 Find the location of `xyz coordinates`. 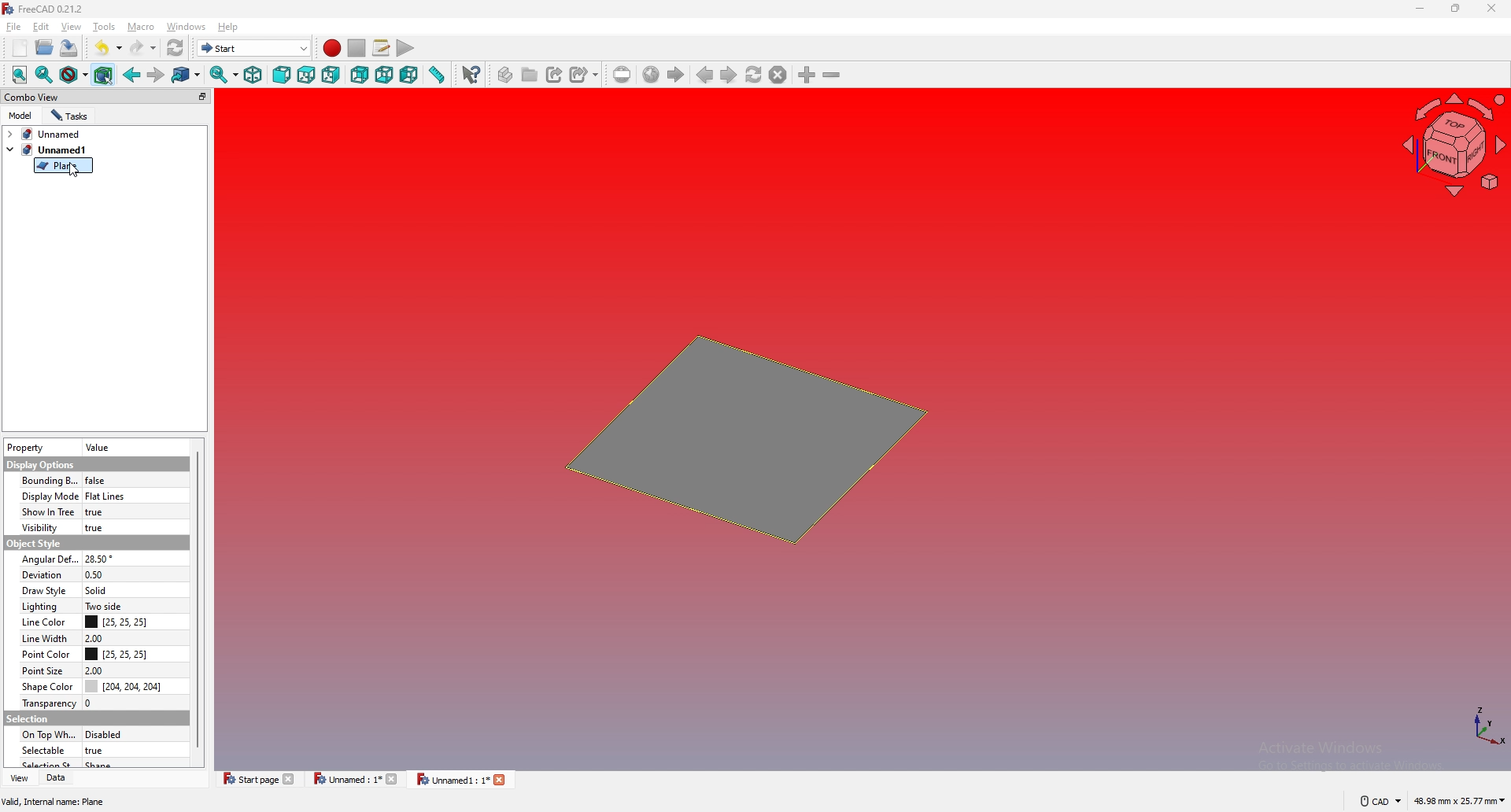

xyz coordinates is located at coordinates (1469, 727).